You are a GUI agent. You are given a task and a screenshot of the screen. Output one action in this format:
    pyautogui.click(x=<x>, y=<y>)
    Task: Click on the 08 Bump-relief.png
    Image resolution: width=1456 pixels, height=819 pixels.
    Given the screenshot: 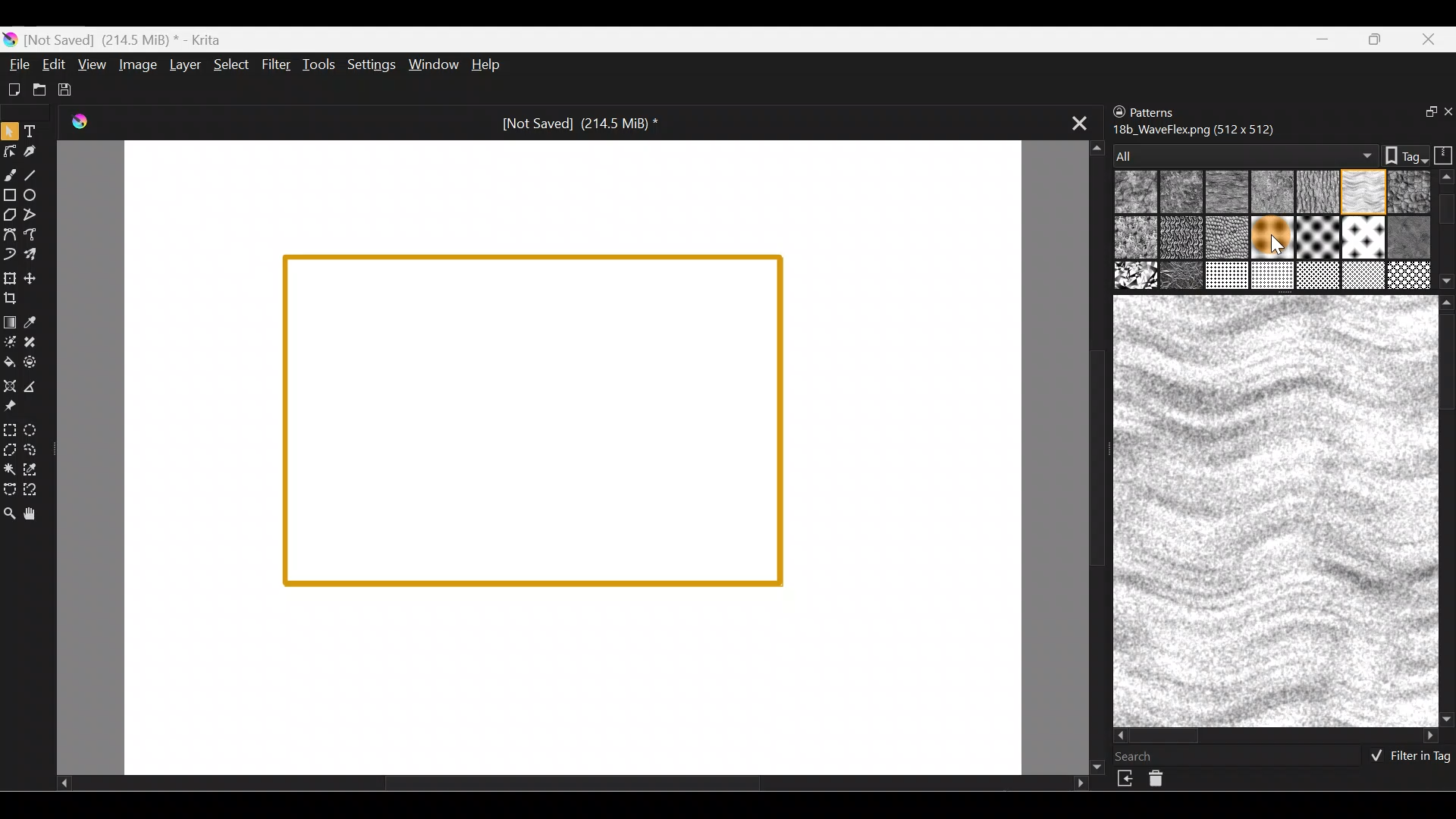 What is the action you would take?
    pyautogui.click(x=1137, y=239)
    